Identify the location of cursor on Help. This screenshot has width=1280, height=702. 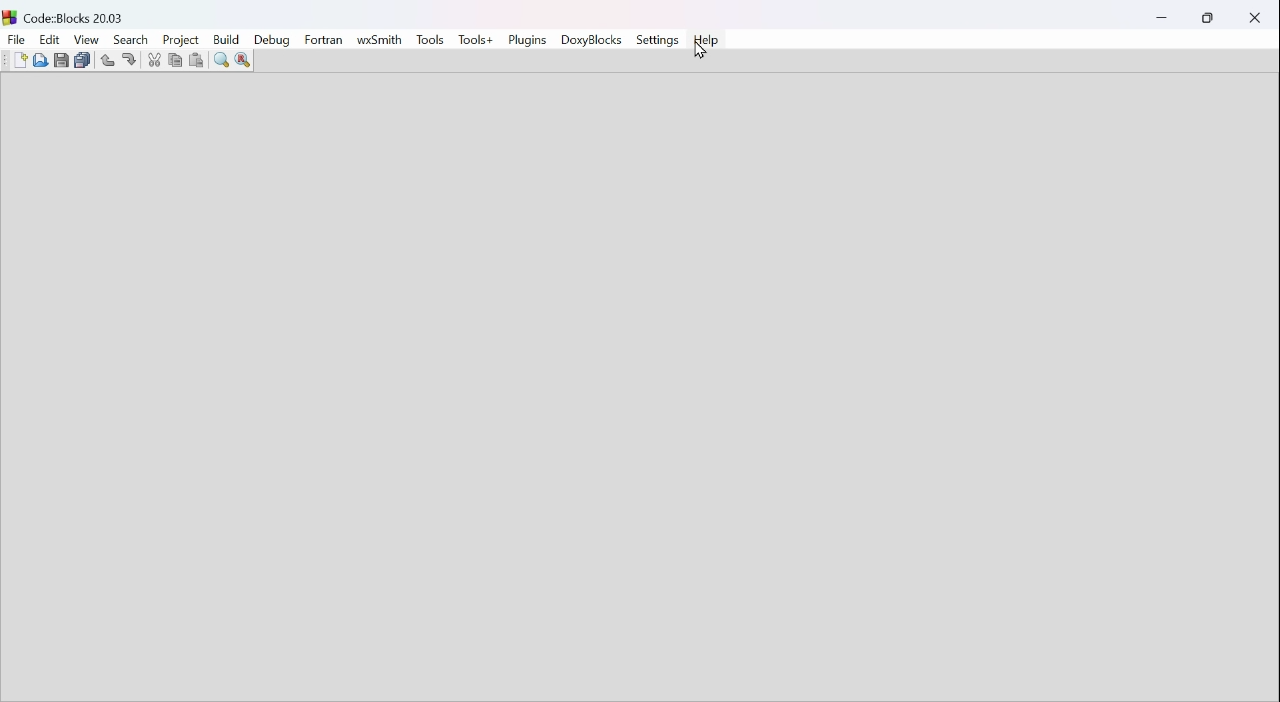
(703, 55).